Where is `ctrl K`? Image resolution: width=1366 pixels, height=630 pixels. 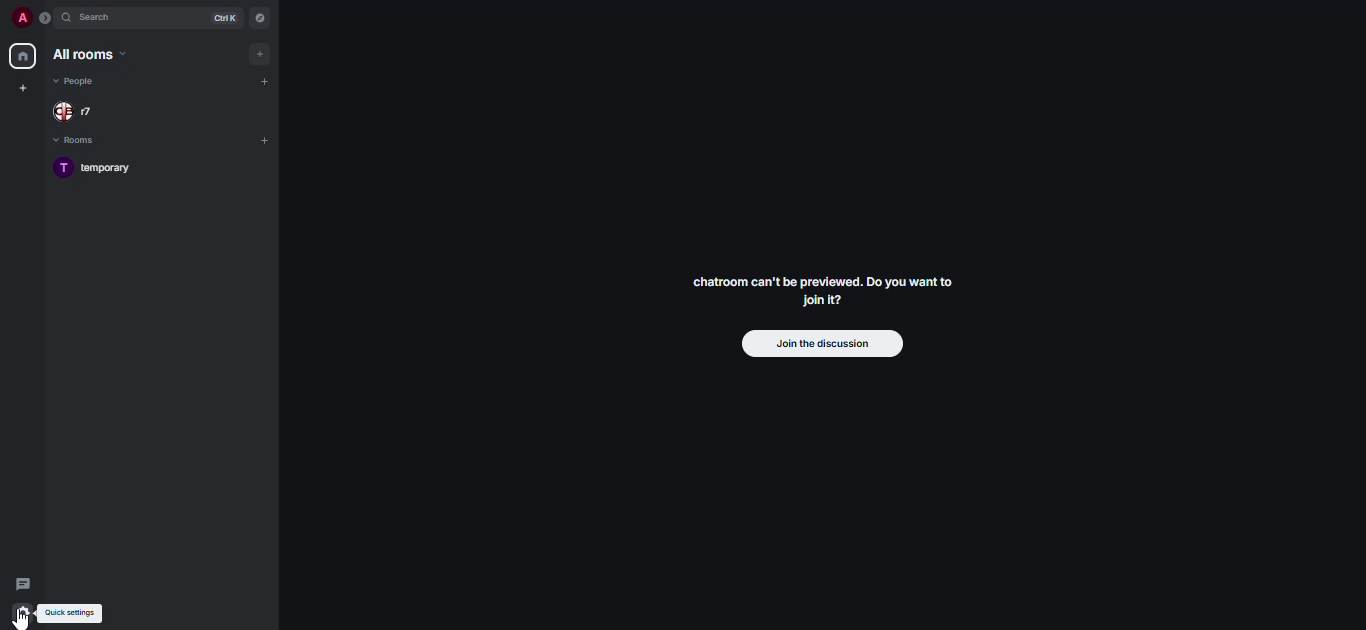
ctrl K is located at coordinates (221, 17).